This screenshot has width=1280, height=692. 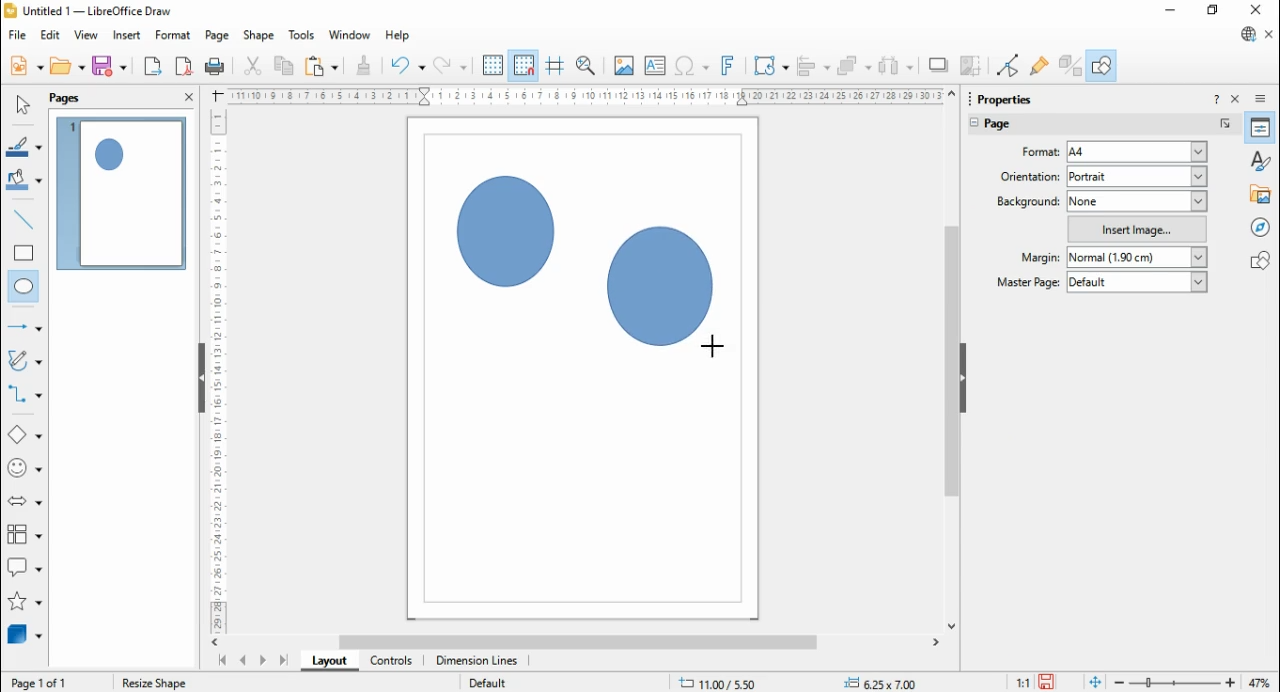 I want to click on select, so click(x=22, y=104).